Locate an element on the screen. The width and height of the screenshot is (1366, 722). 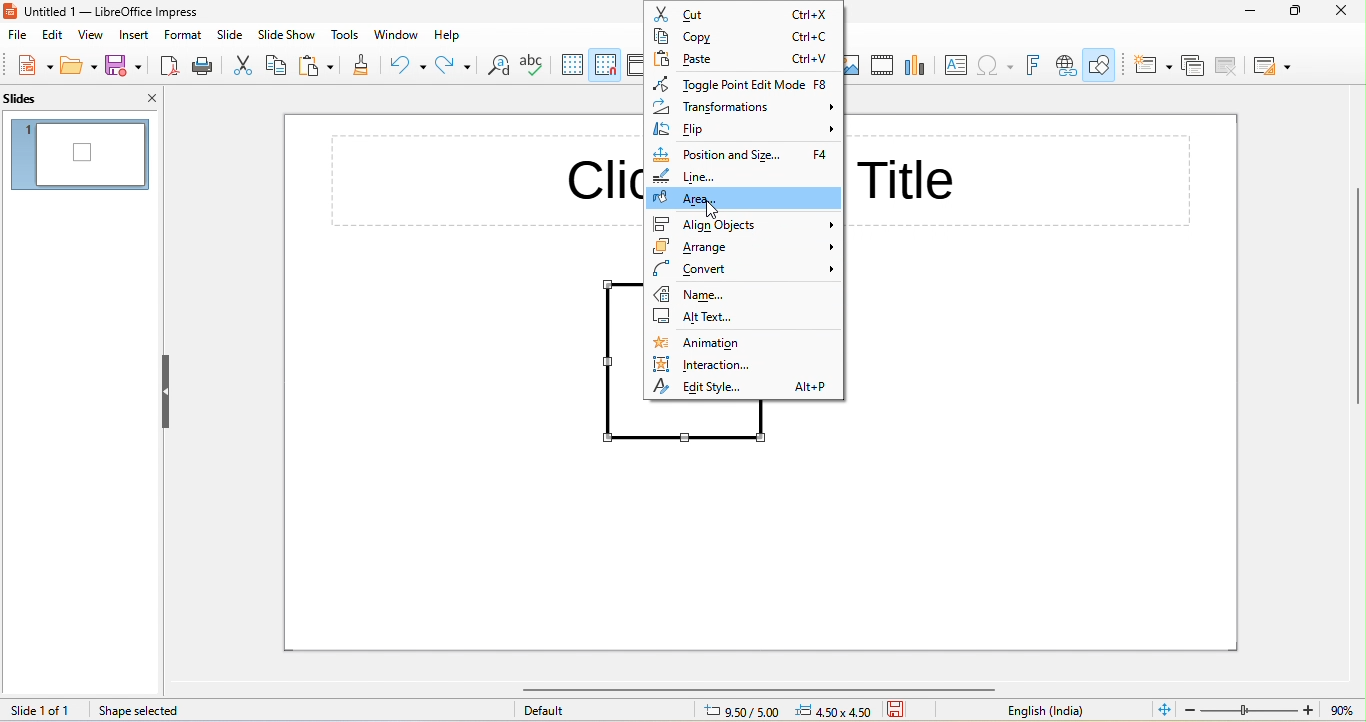
click to add title is located at coordinates (464, 178).